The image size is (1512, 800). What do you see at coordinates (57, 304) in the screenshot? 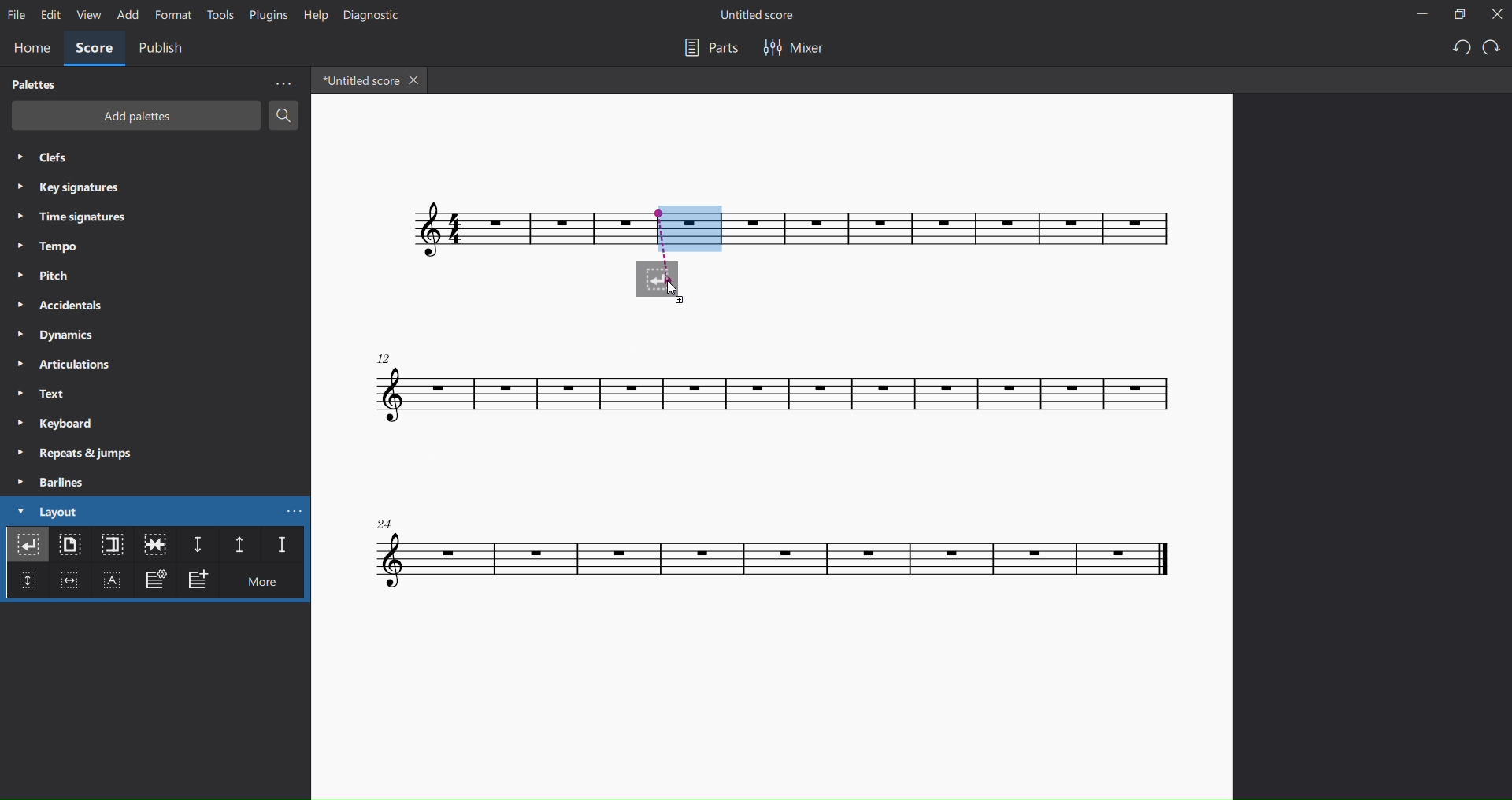
I see `accidentals` at bounding box center [57, 304].